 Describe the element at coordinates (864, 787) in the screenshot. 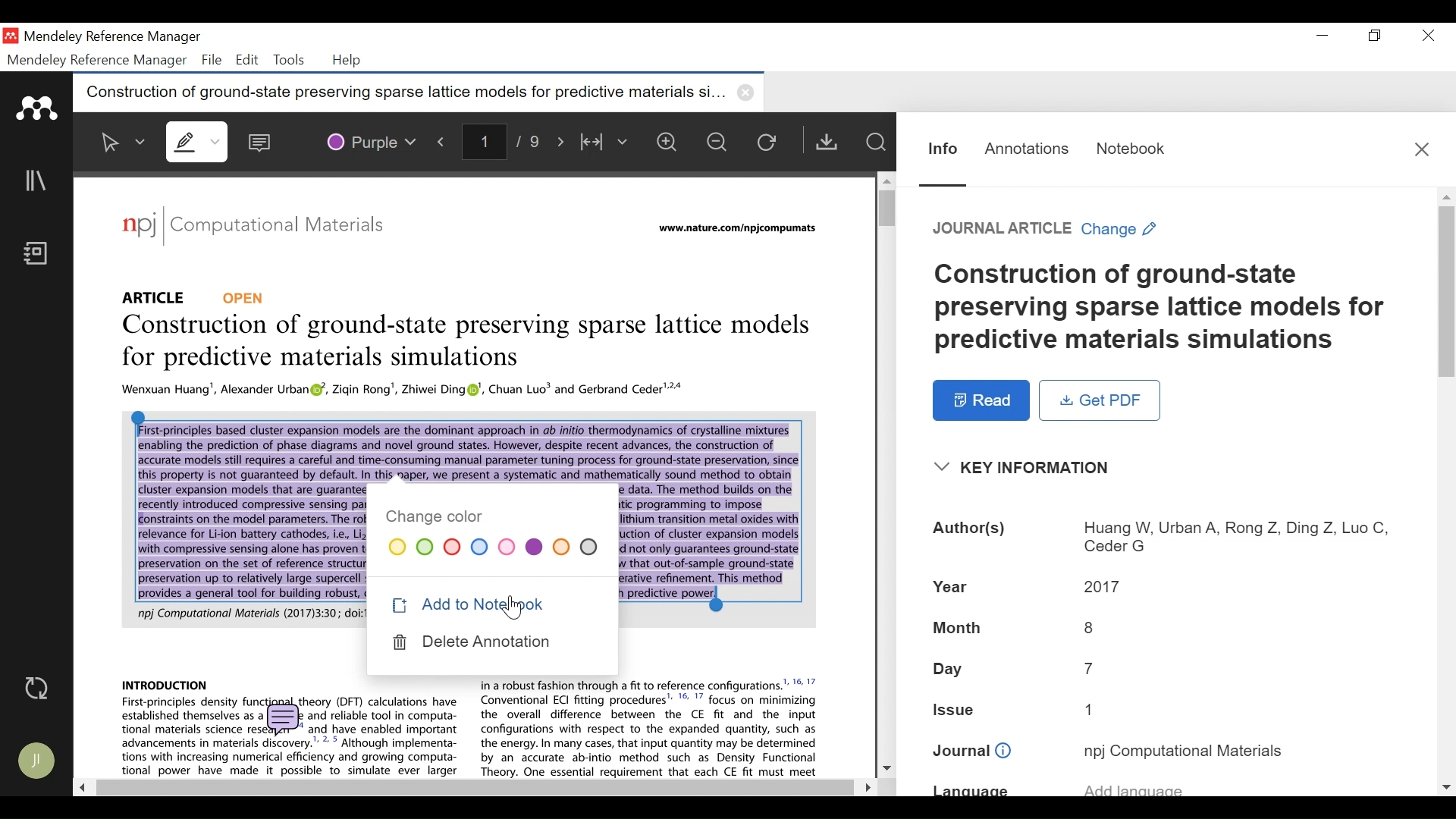

I see `Scroll Right` at that location.